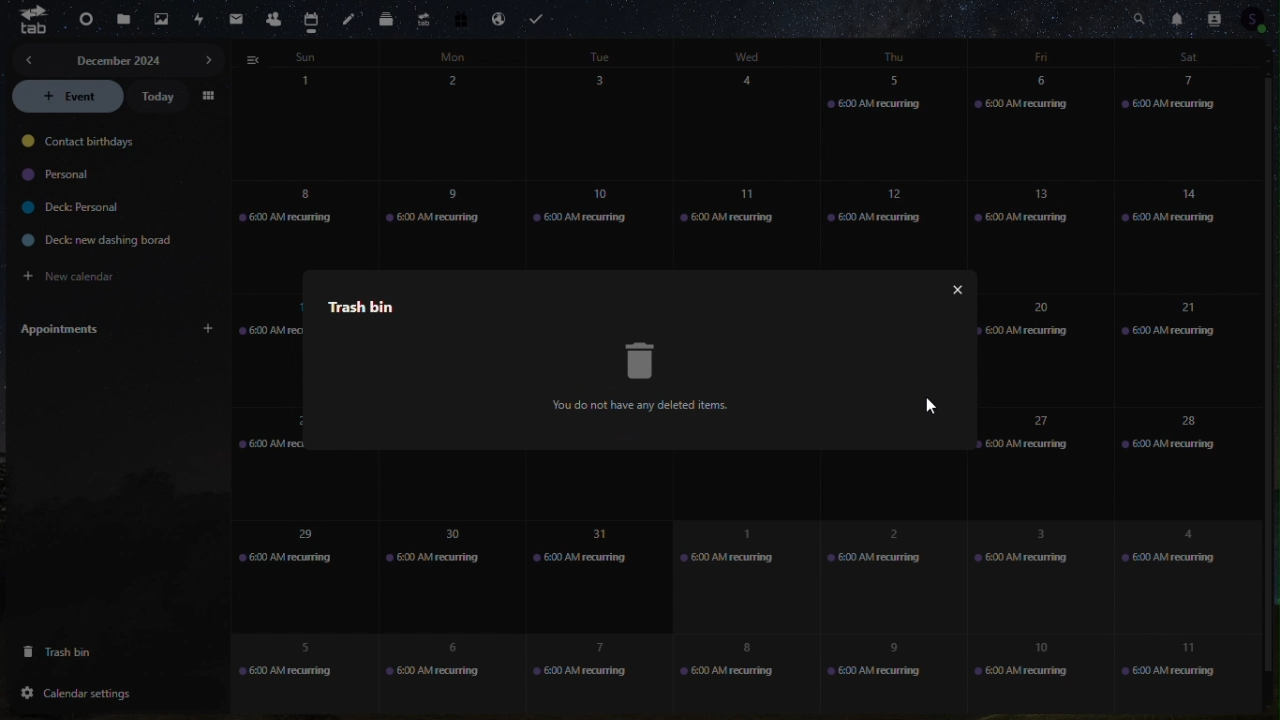  Describe the element at coordinates (598, 574) in the screenshot. I see `31` at that location.